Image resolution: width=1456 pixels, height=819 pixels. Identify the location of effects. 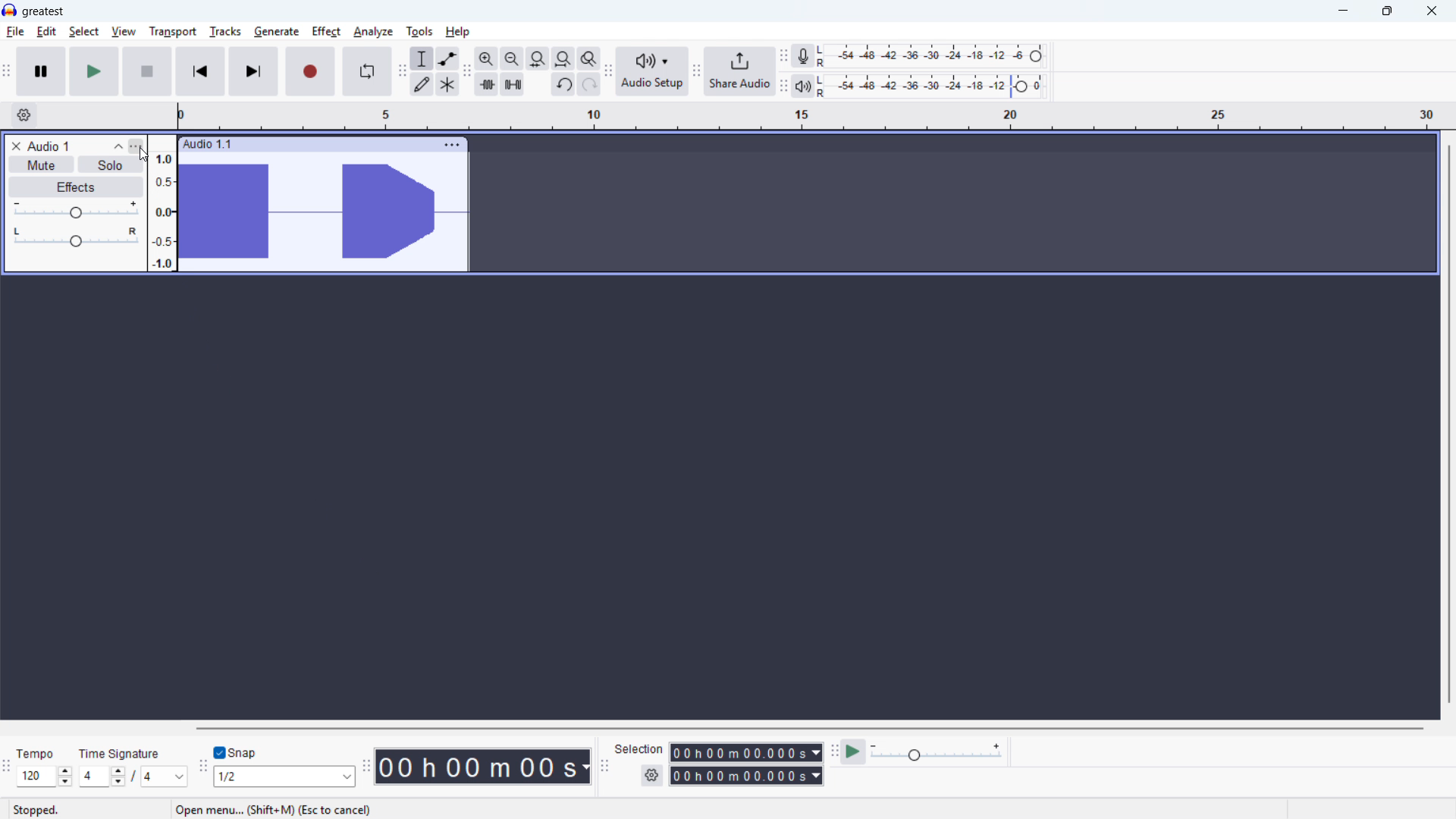
(76, 187).